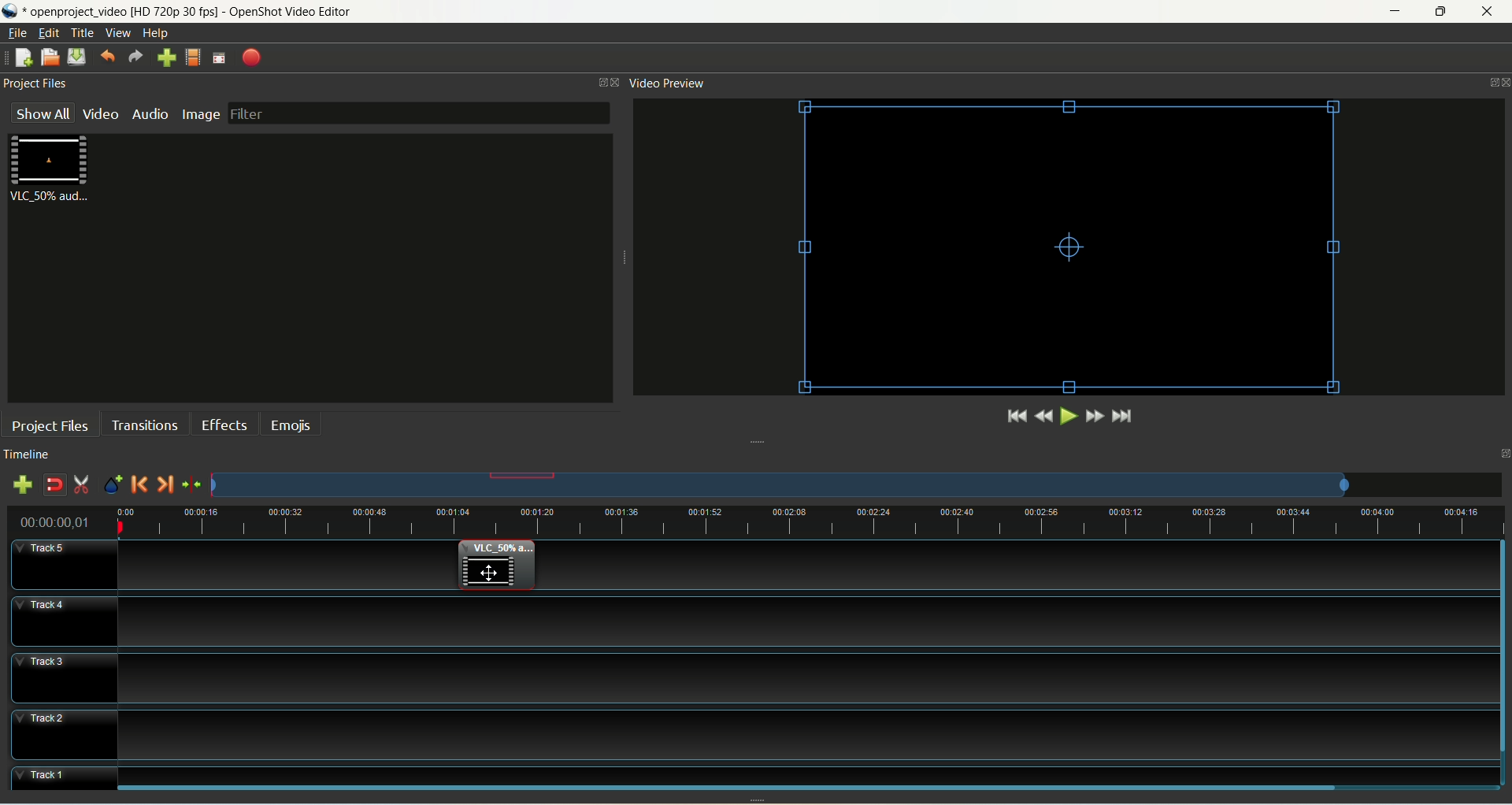 The height and width of the screenshot is (805, 1512). I want to click on import file, so click(167, 58).